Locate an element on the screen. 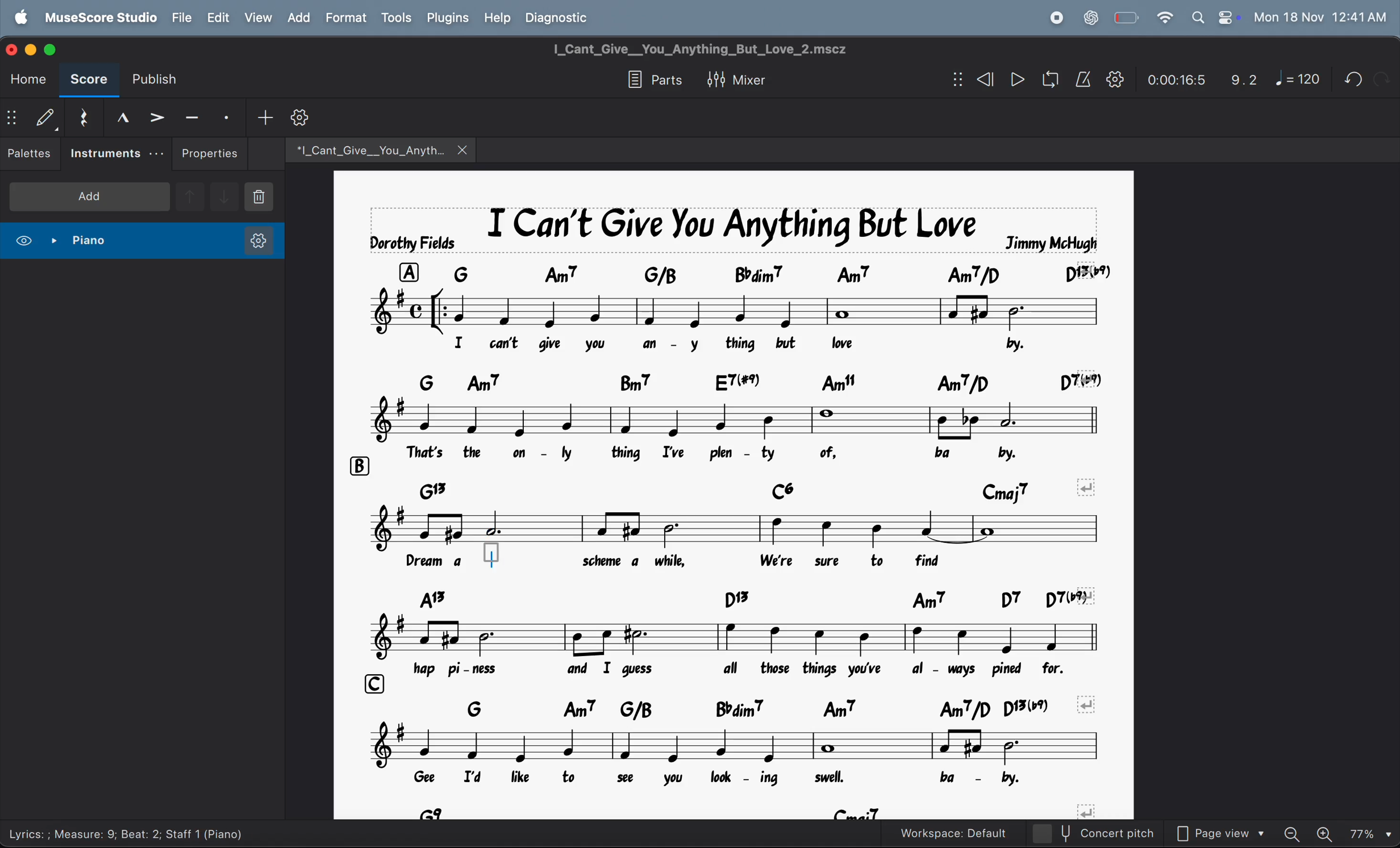 This screenshot has width=1400, height=848. publish is located at coordinates (153, 80).